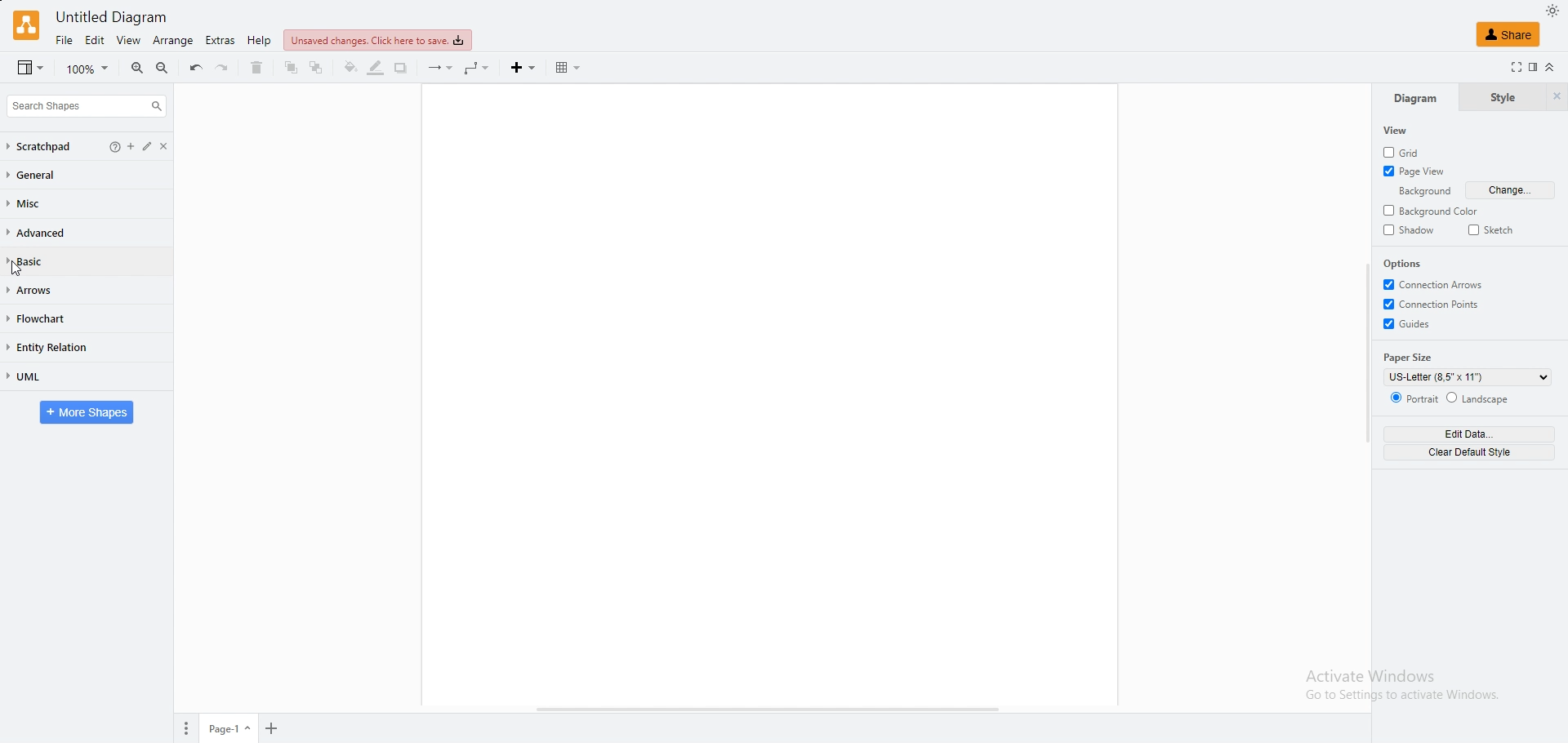 The height and width of the screenshot is (743, 1568). I want to click on to front, so click(292, 68).